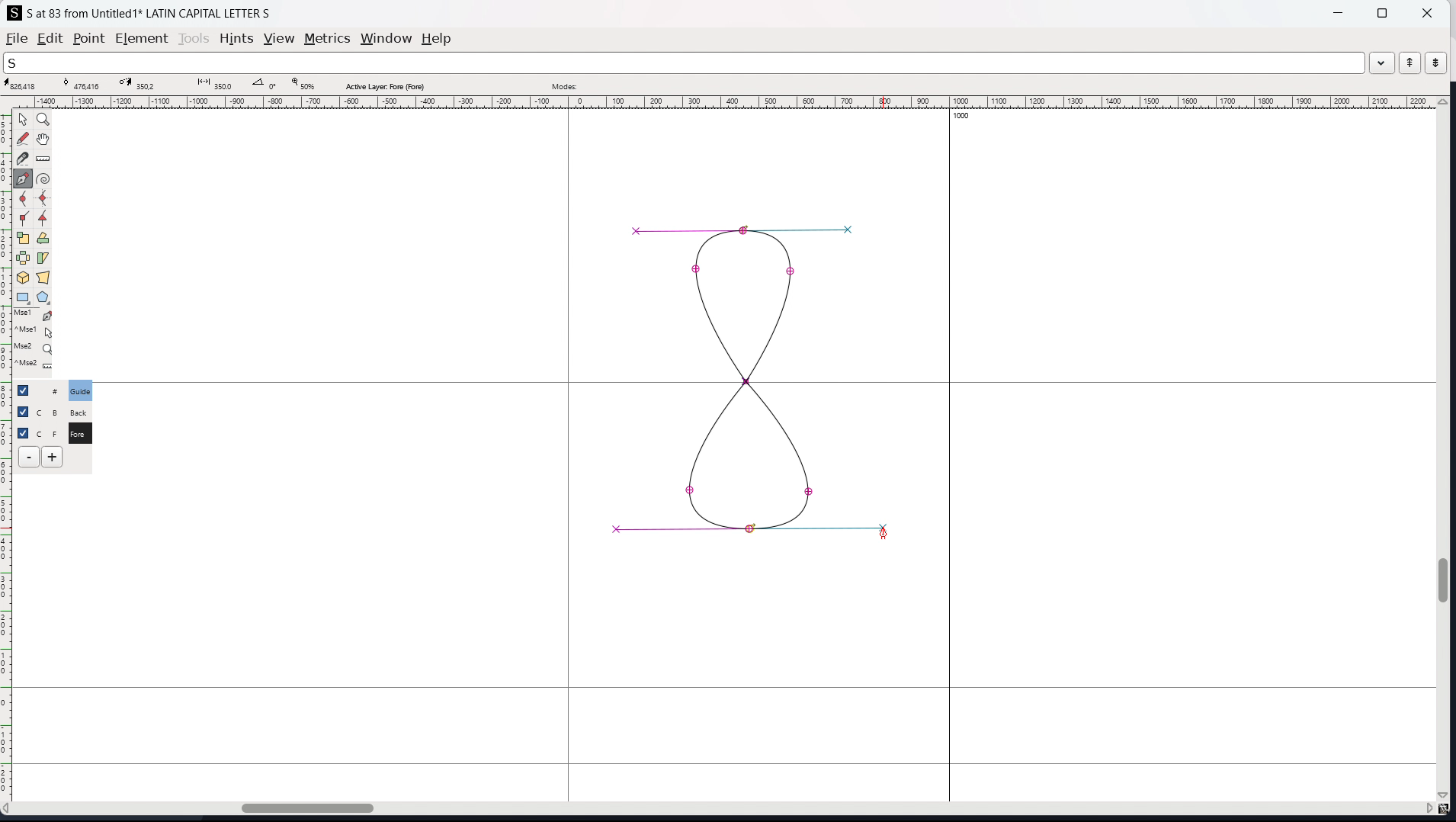  Describe the element at coordinates (34, 332) in the screenshot. I see `^Mse1` at that location.